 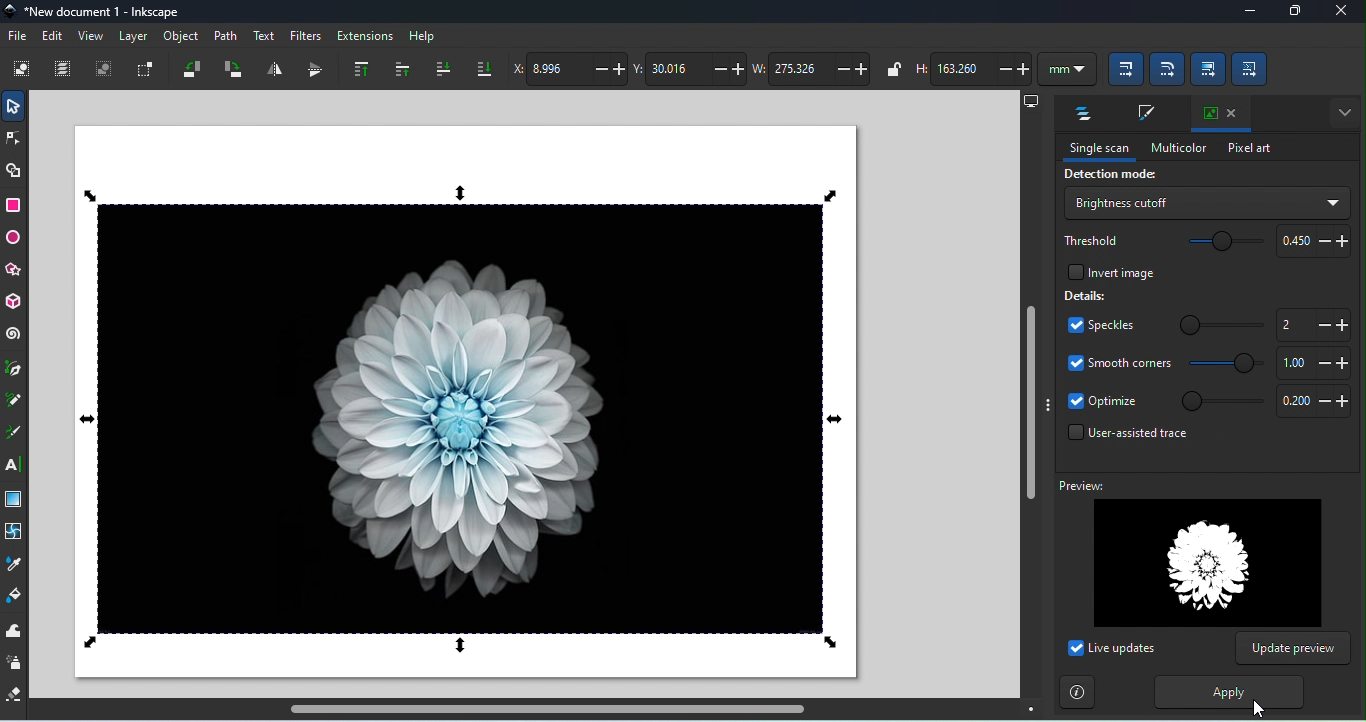 I want to click on Raise selection to top, so click(x=356, y=69).